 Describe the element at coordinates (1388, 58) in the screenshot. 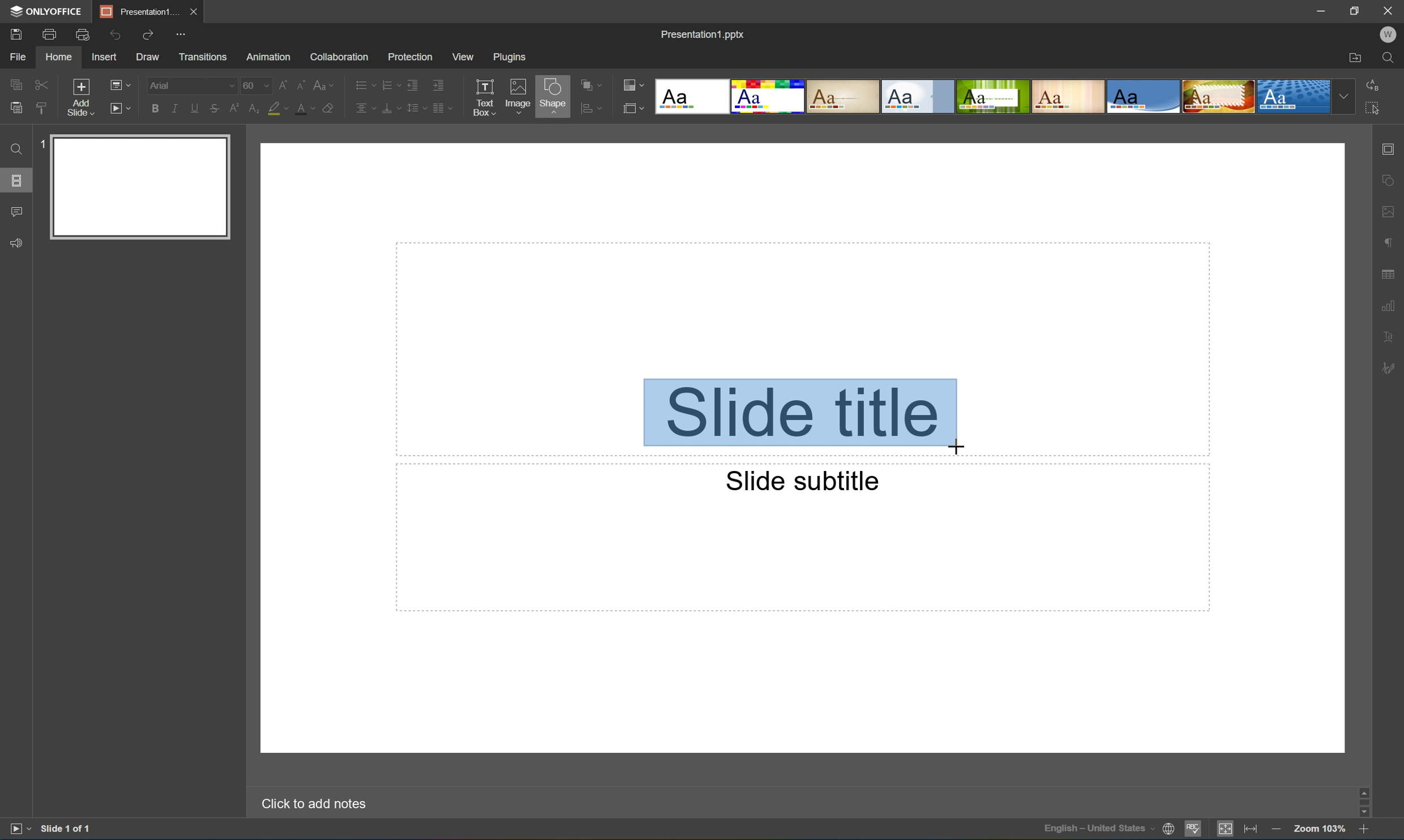

I see `Find` at that location.